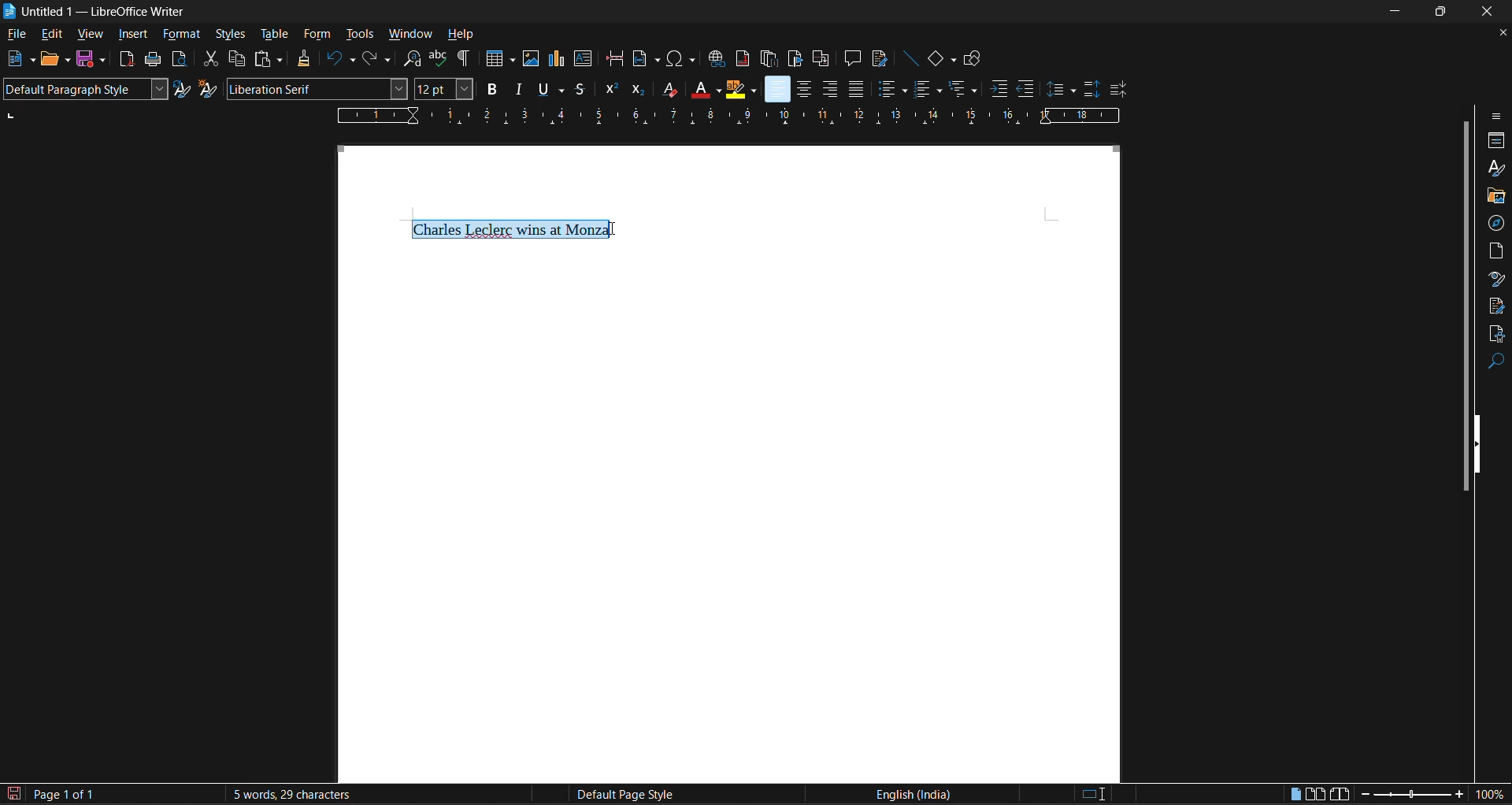 Image resolution: width=1512 pixels, height=805 pixels. What do you see at coordinates (1495, 335) in the screenshot?
I see `accessibility check` at bounding box center [1495, 335].